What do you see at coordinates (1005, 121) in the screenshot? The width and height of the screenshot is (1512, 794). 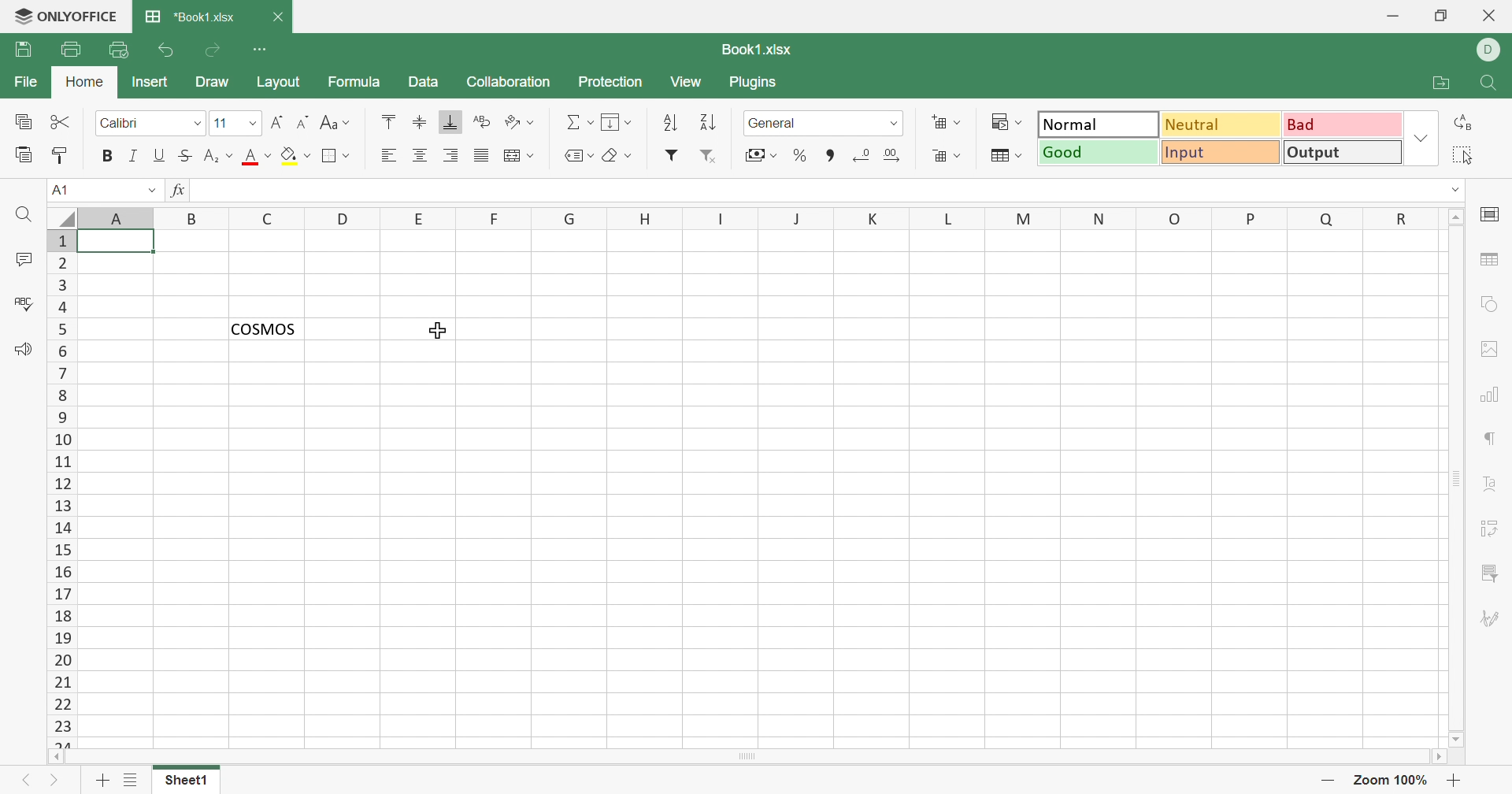 I see `Conditional formatting` at bounding box center [1005, 121].